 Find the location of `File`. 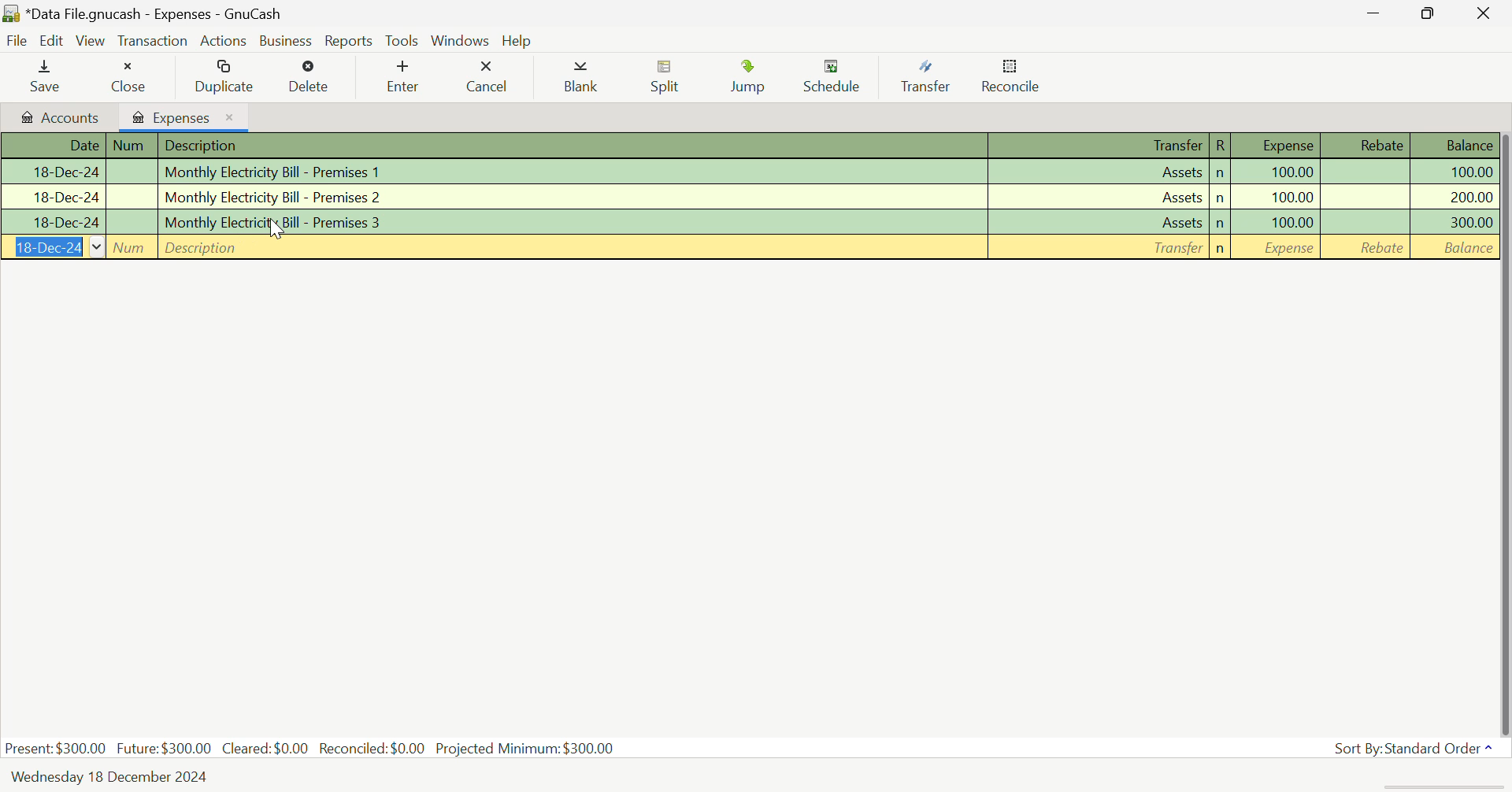

File is located at coordinates (17, 42).